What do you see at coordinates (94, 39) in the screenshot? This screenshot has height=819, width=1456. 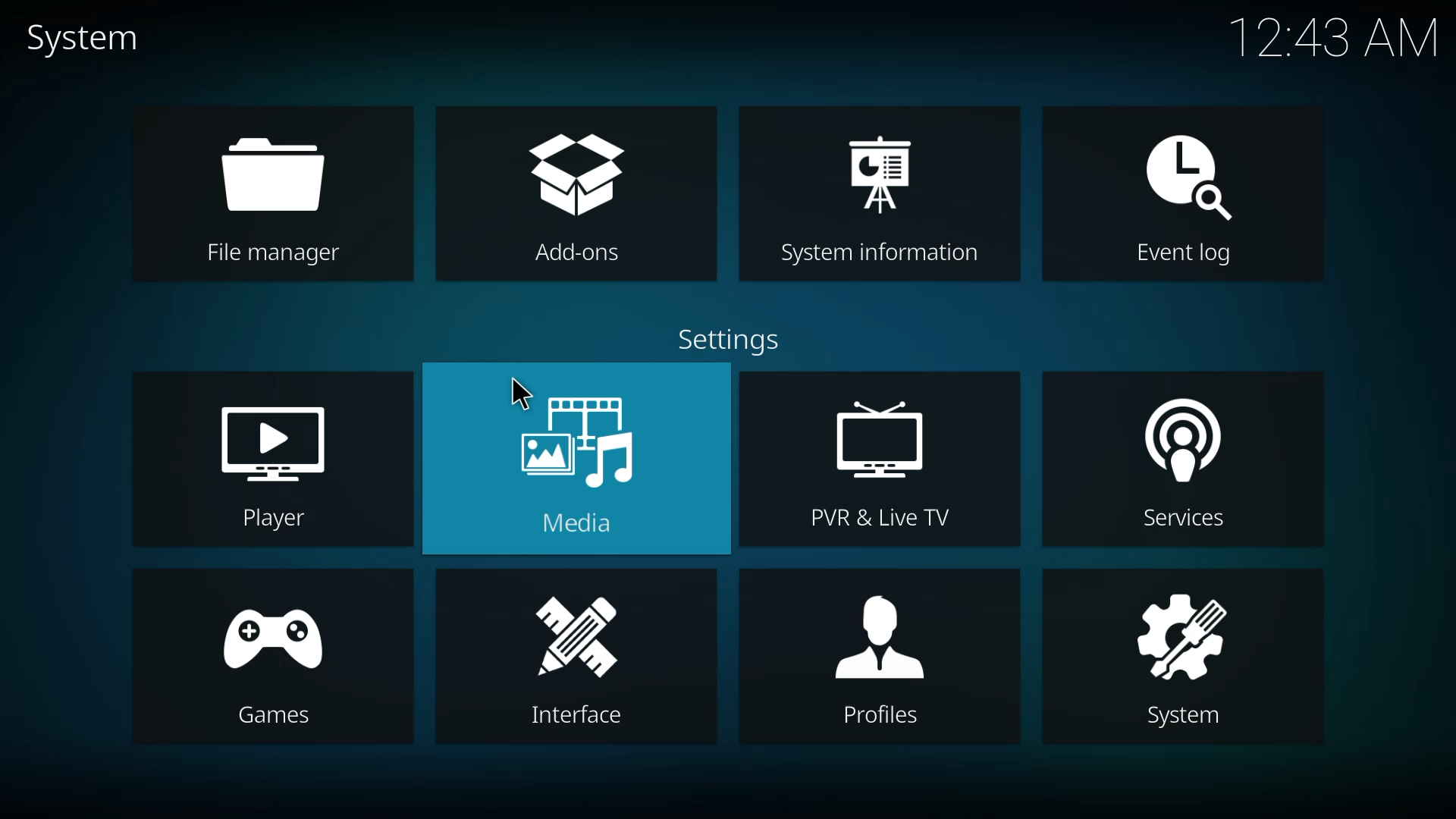 I see `system` at bounding box center [94, 39].